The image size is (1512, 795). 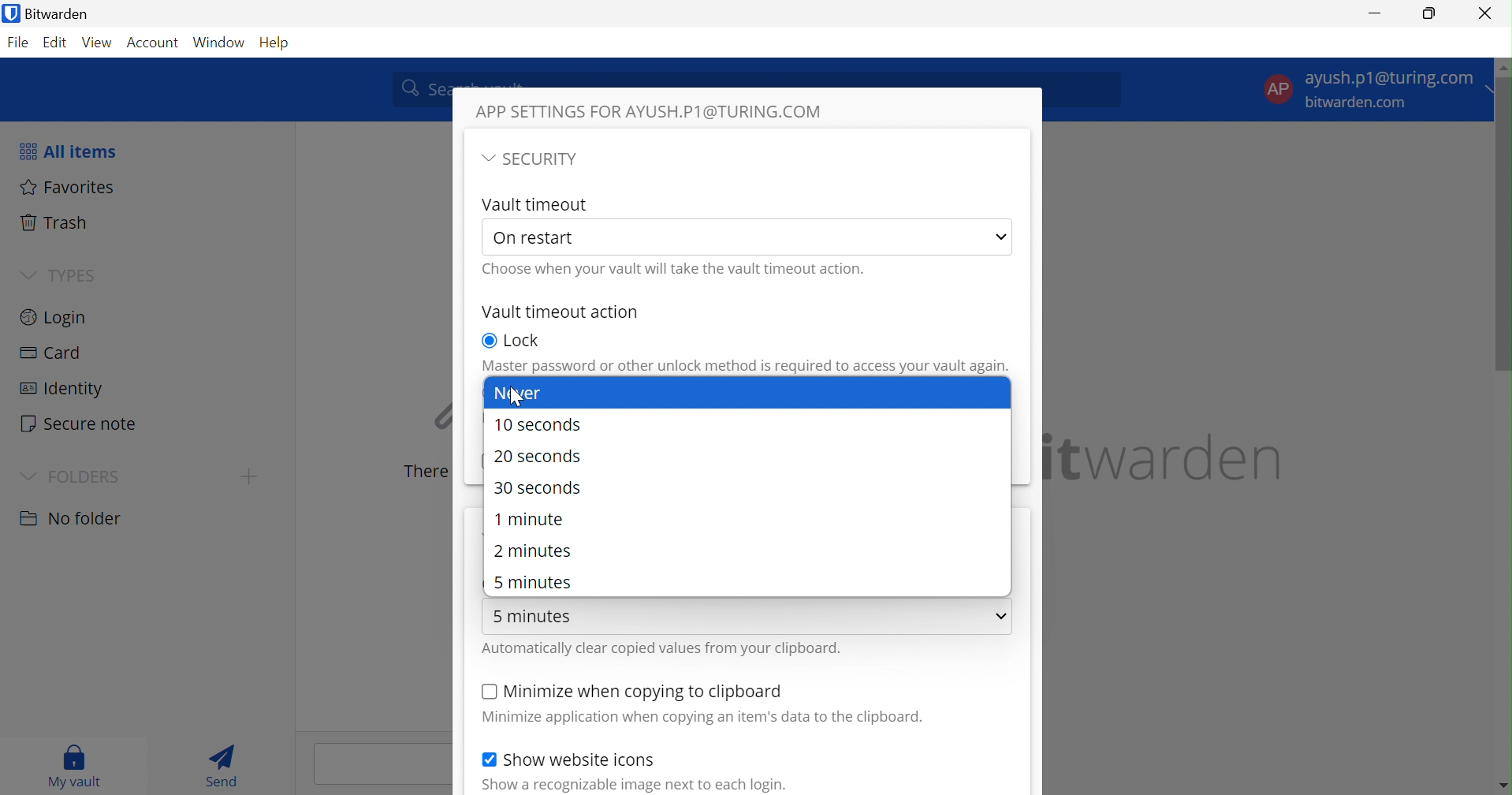 What do you see at coordinates (79, 274) in the screenshot?
I see `TYPES` at bounding box center [79, 274].